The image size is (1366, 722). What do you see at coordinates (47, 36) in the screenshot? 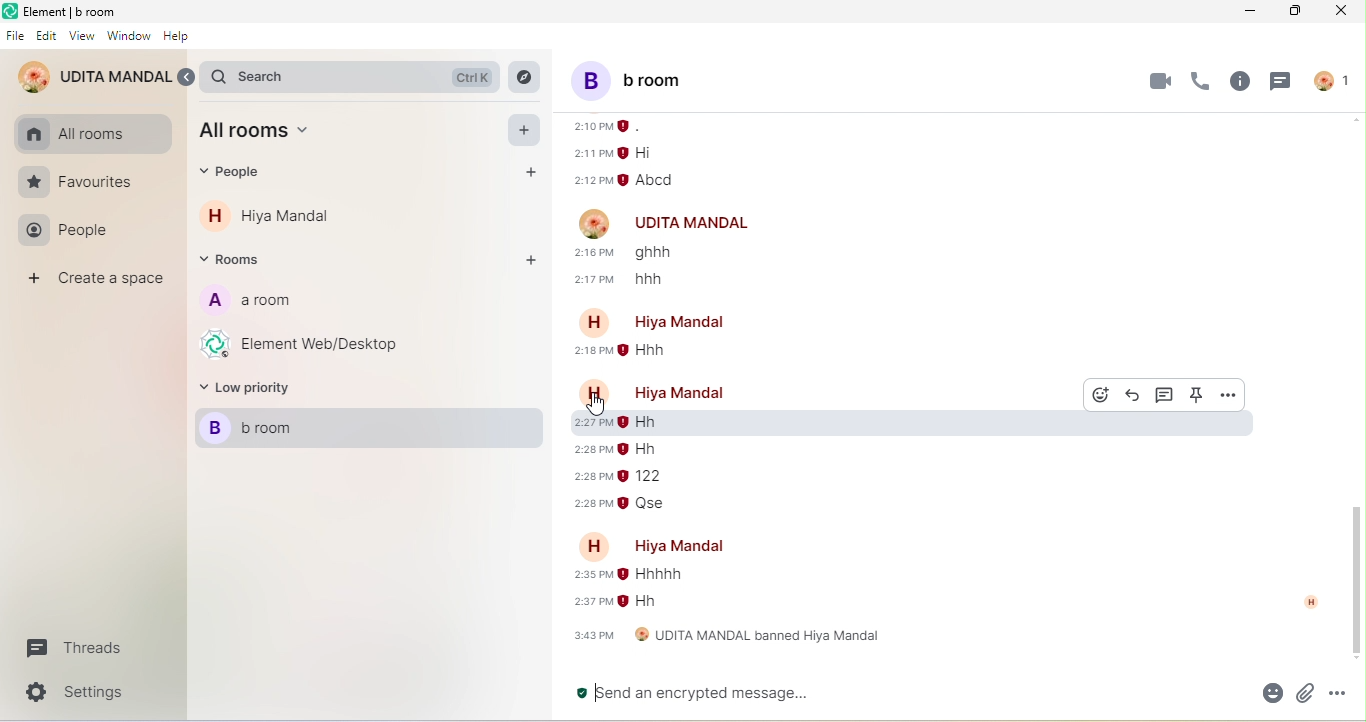
I see `edit` at bounding box center [47, 36].